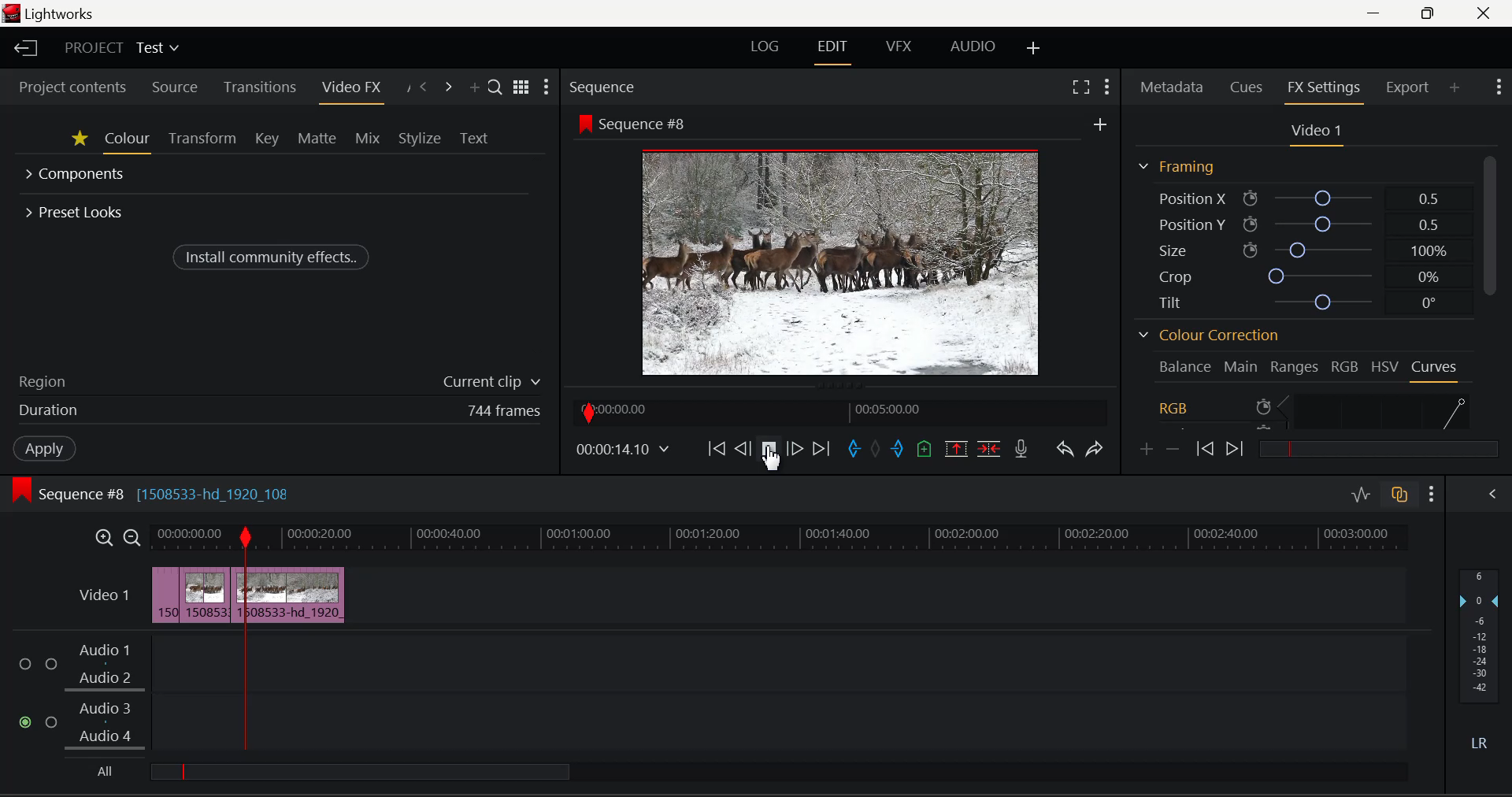 This screenshot has width=1512, height=797. Describe the element at coordinates (840, 411) in the screenshot. I see `Project Timeline Navigator` at that location.